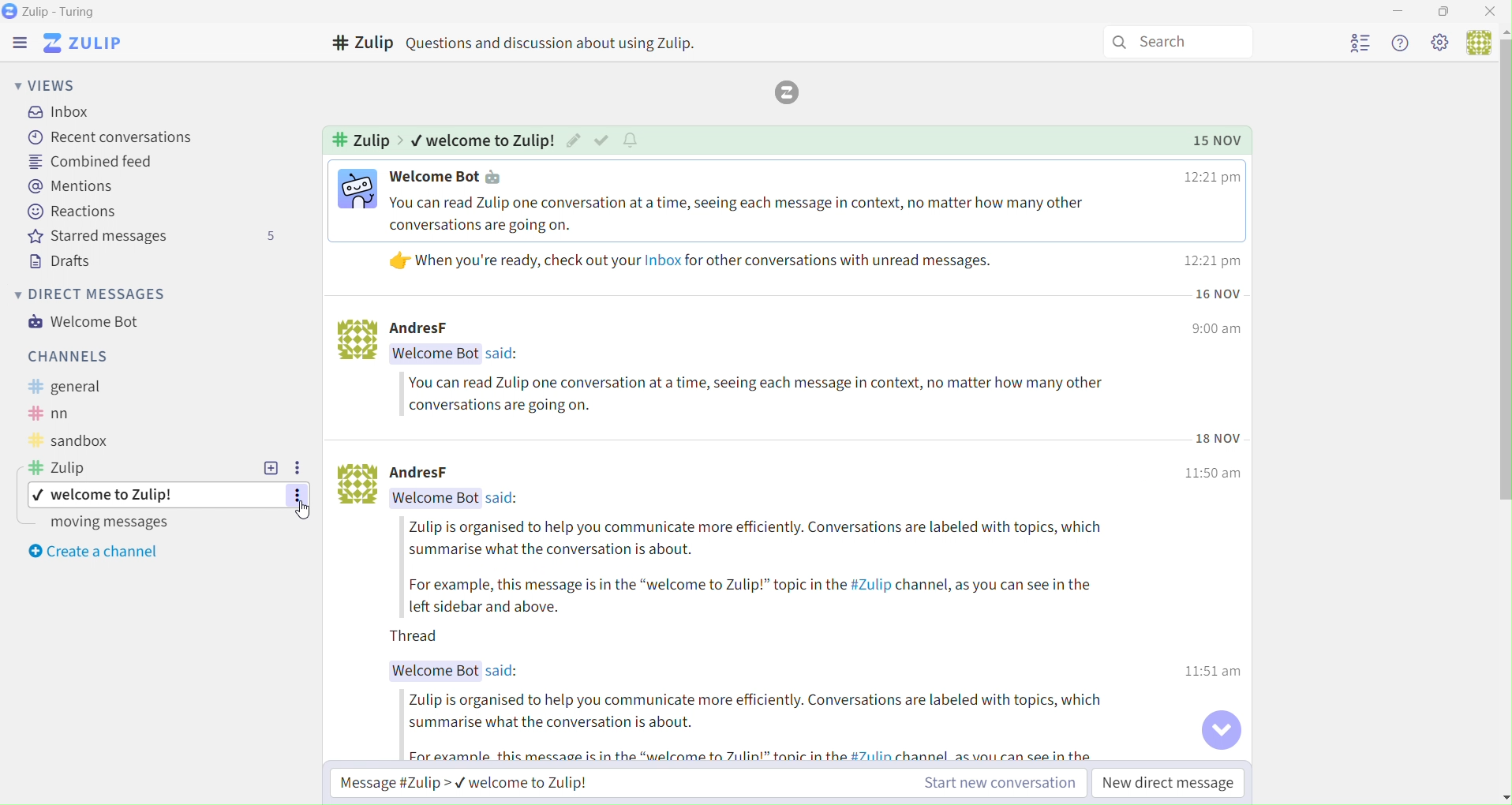  Describe the element at coordinates (1446, 12) in the screenshot. I see `Box` at that location.